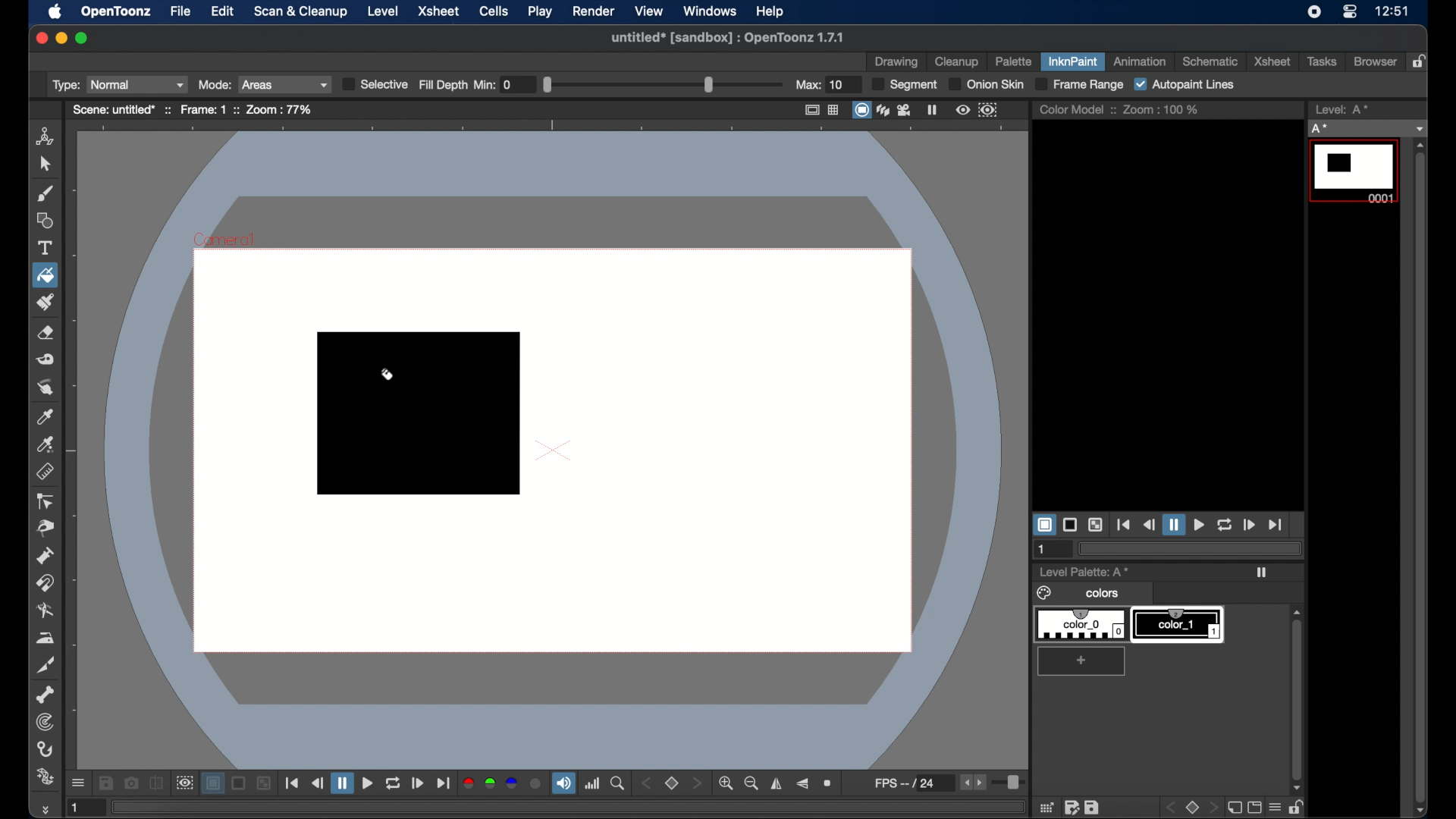  What do you see at coordinates (184, 783) in the screenshot?
I see `sub camera view` at bounding box center [184, 783].